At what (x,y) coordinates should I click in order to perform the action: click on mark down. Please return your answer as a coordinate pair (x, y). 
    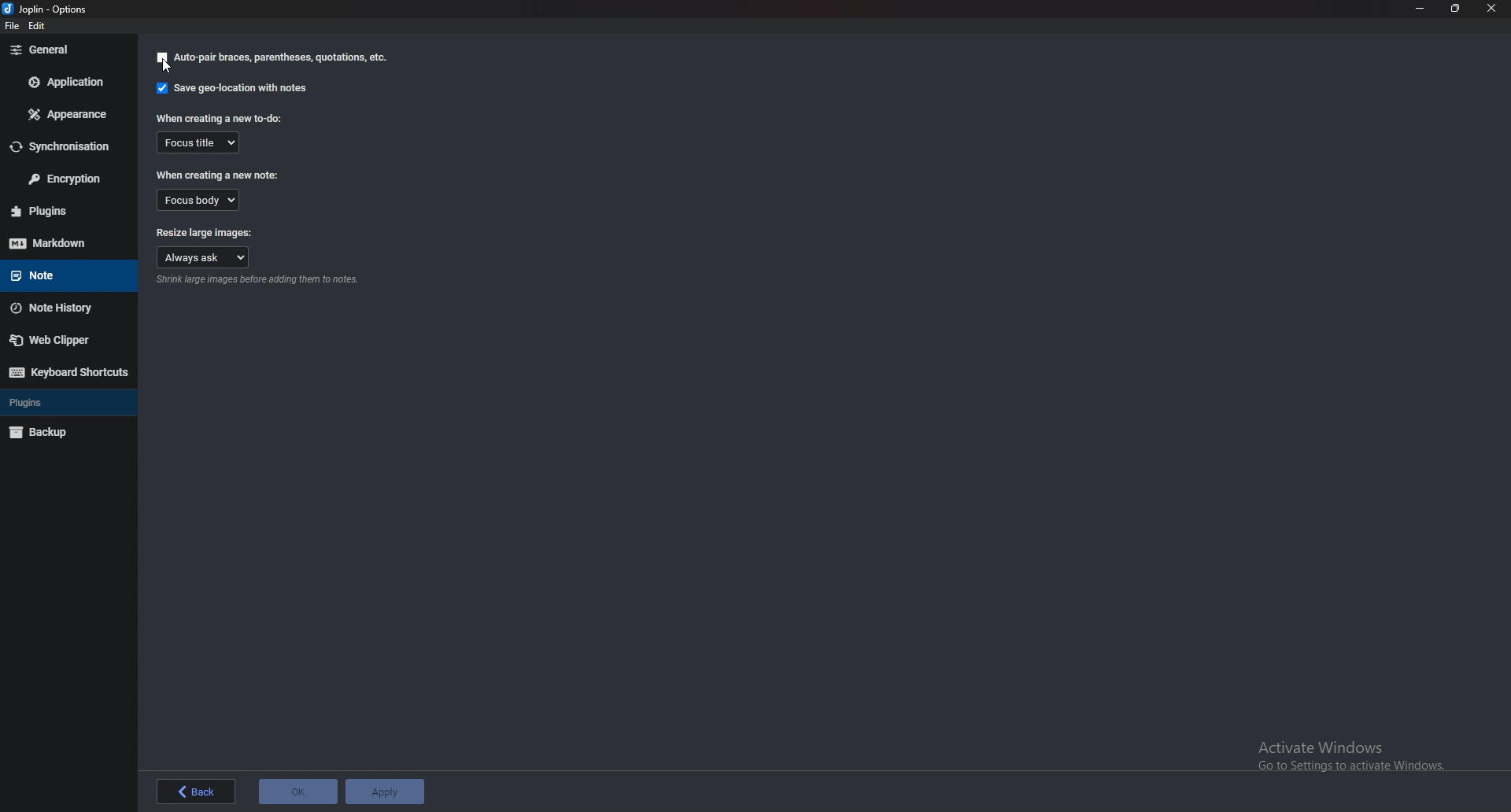
    Looking at the image, I should click on (57, 243).